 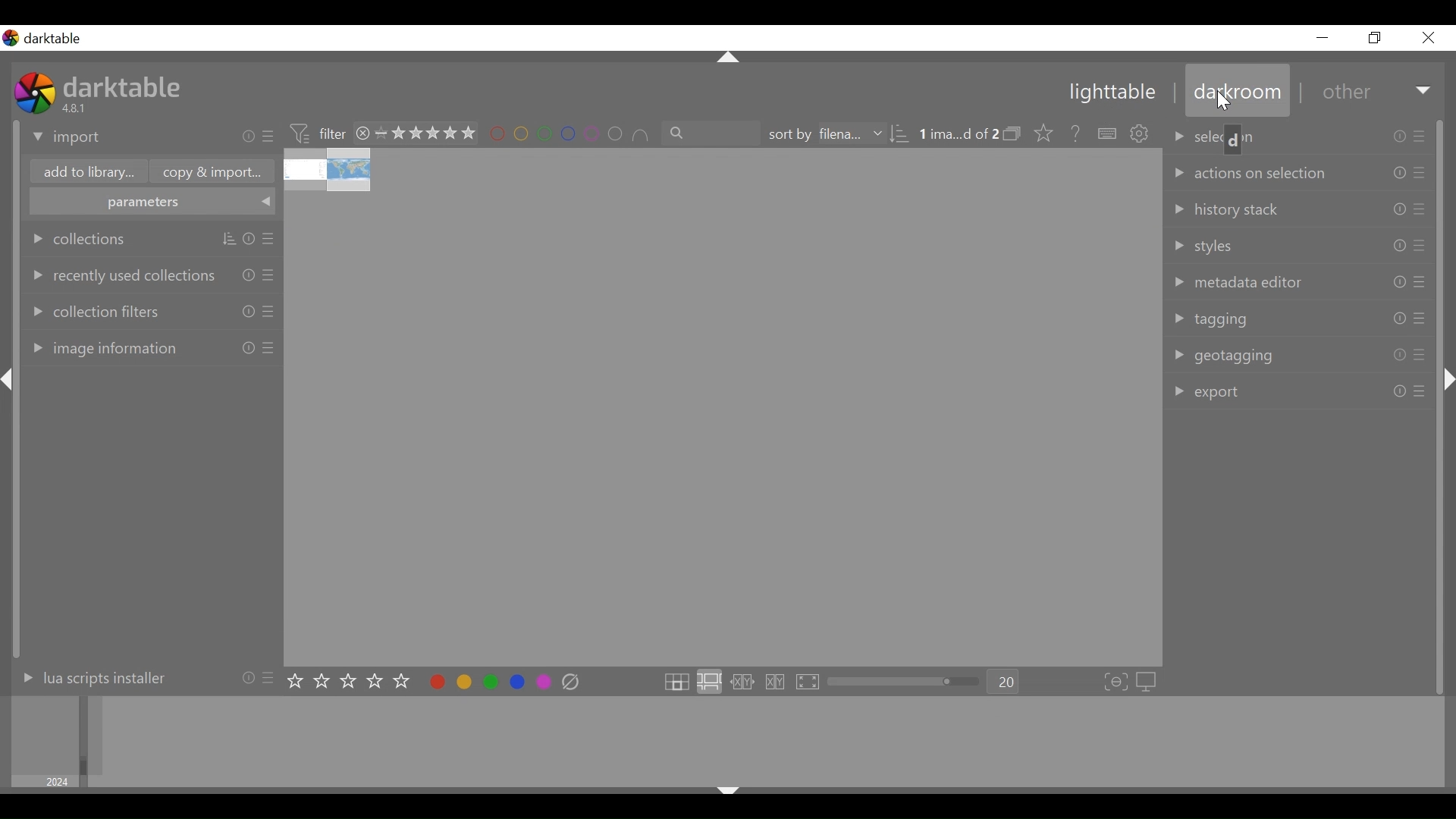 What do you see at coordinates (1421, 247) in the screenshot?
I see `` at bounding box center [1421, 247].